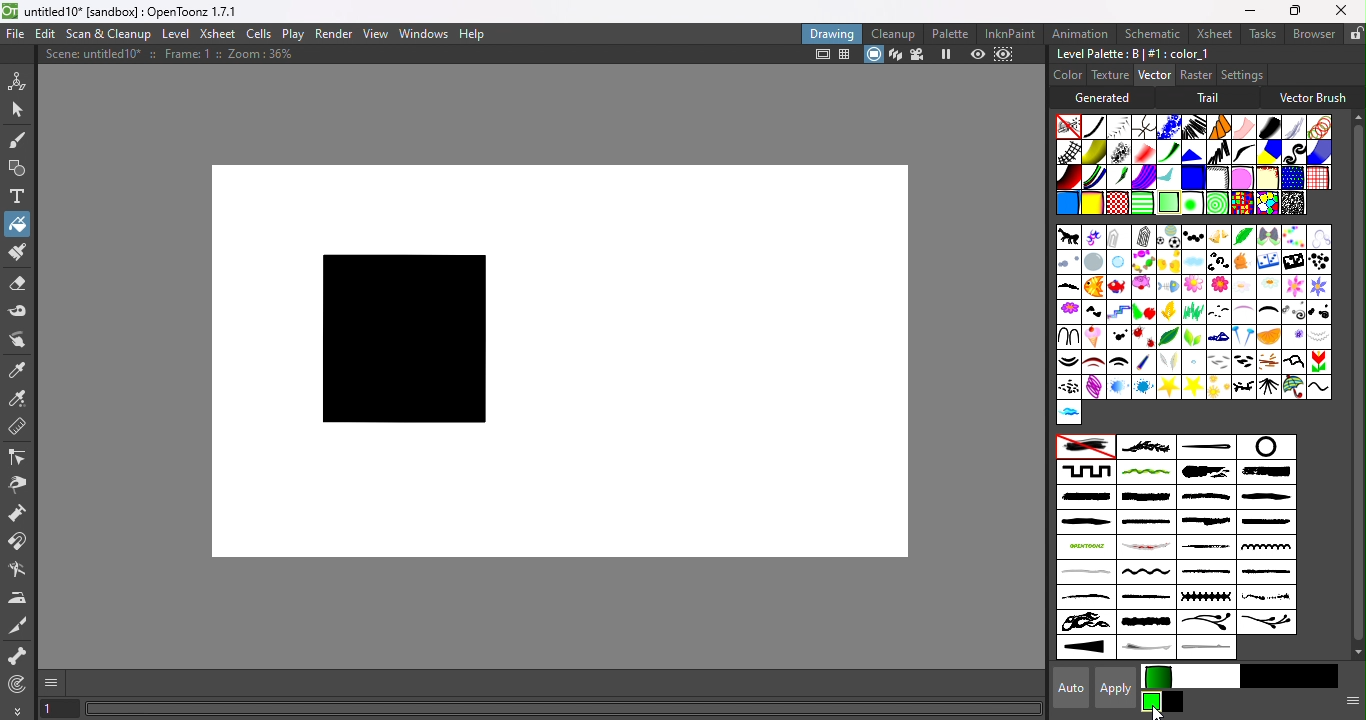  I want to click on Sign, so click(1069, 387).